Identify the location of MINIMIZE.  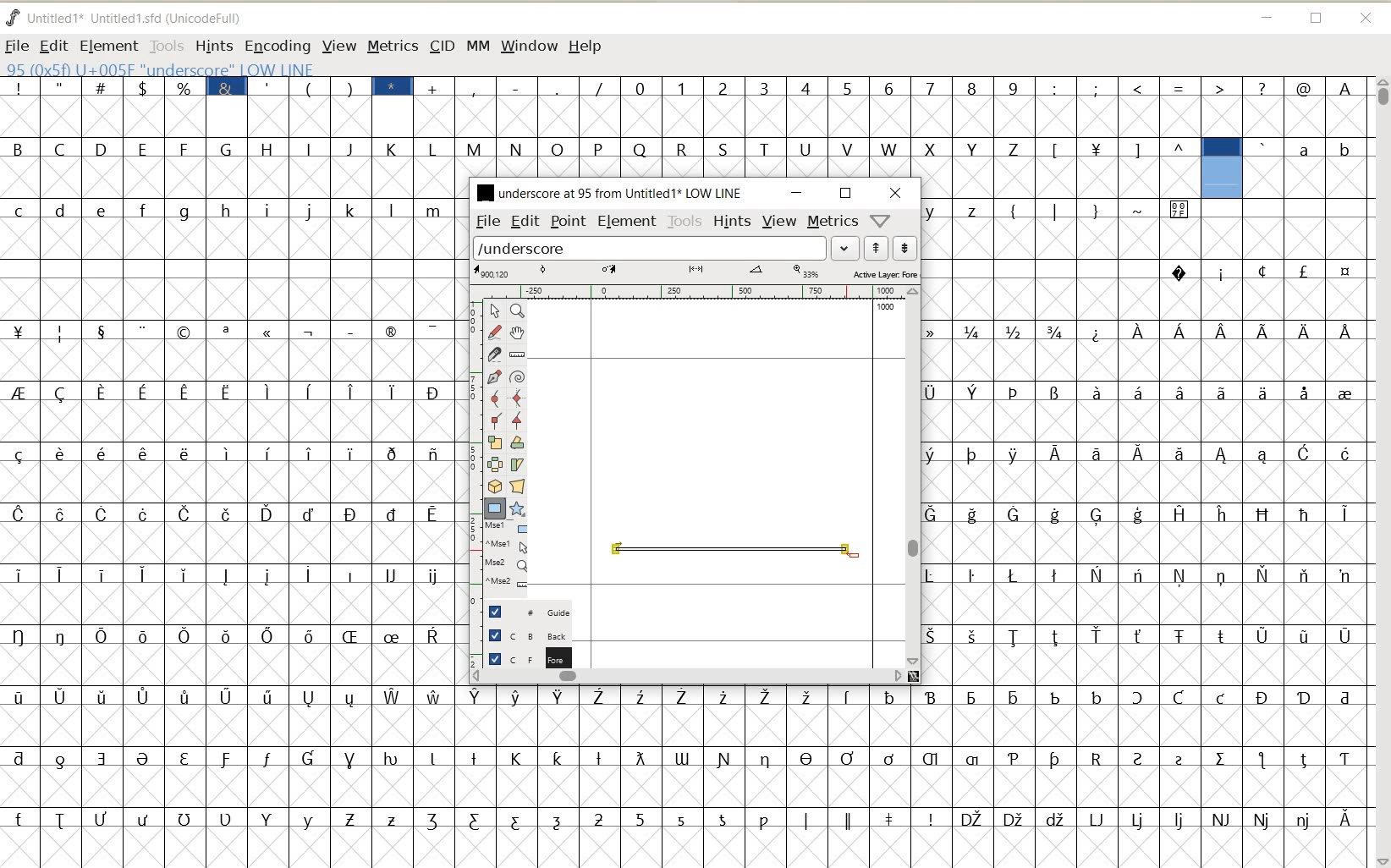
(1266, 15).